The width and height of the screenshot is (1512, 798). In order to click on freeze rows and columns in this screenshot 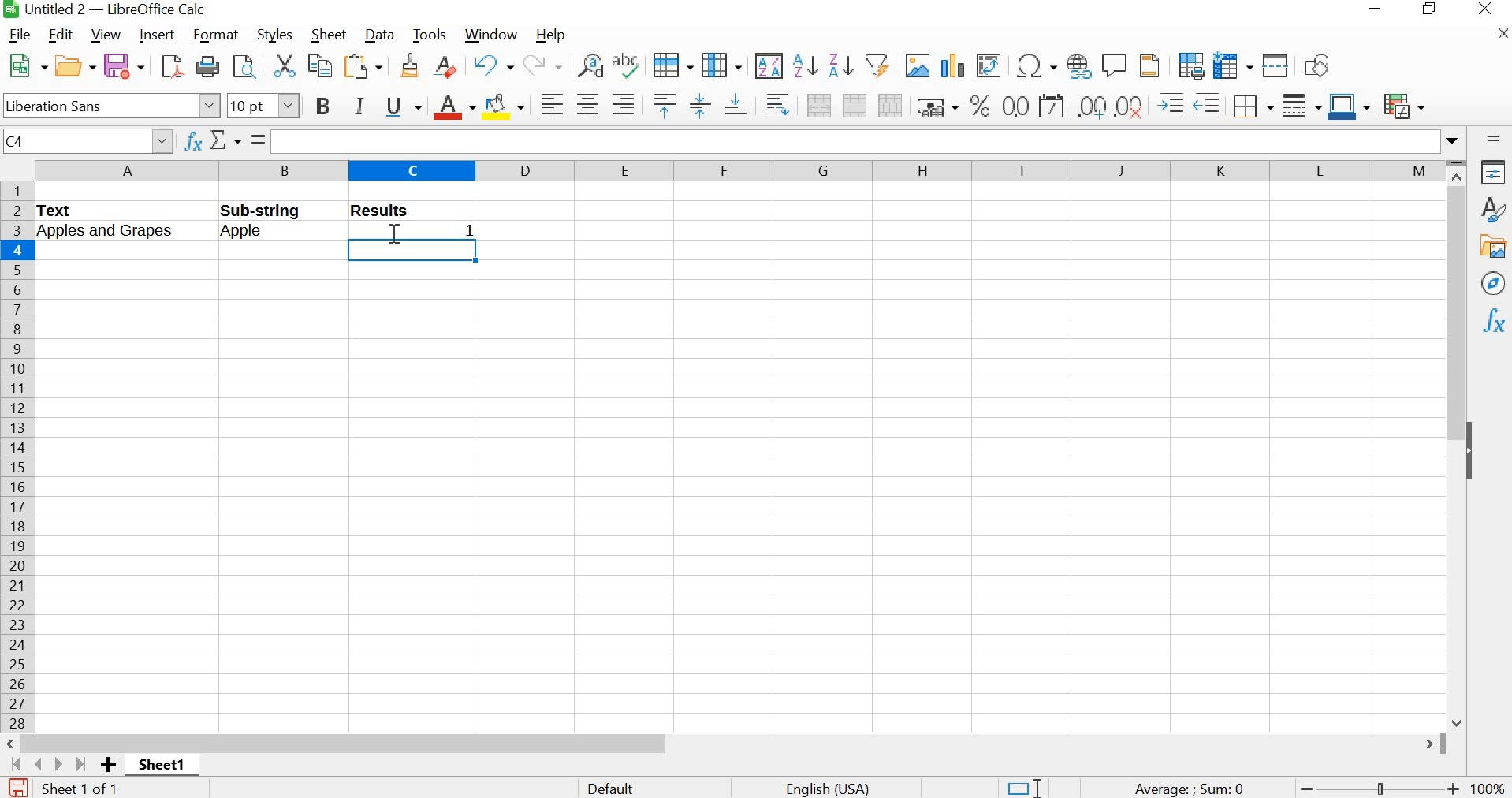, I will do `click(1232, 64)`.